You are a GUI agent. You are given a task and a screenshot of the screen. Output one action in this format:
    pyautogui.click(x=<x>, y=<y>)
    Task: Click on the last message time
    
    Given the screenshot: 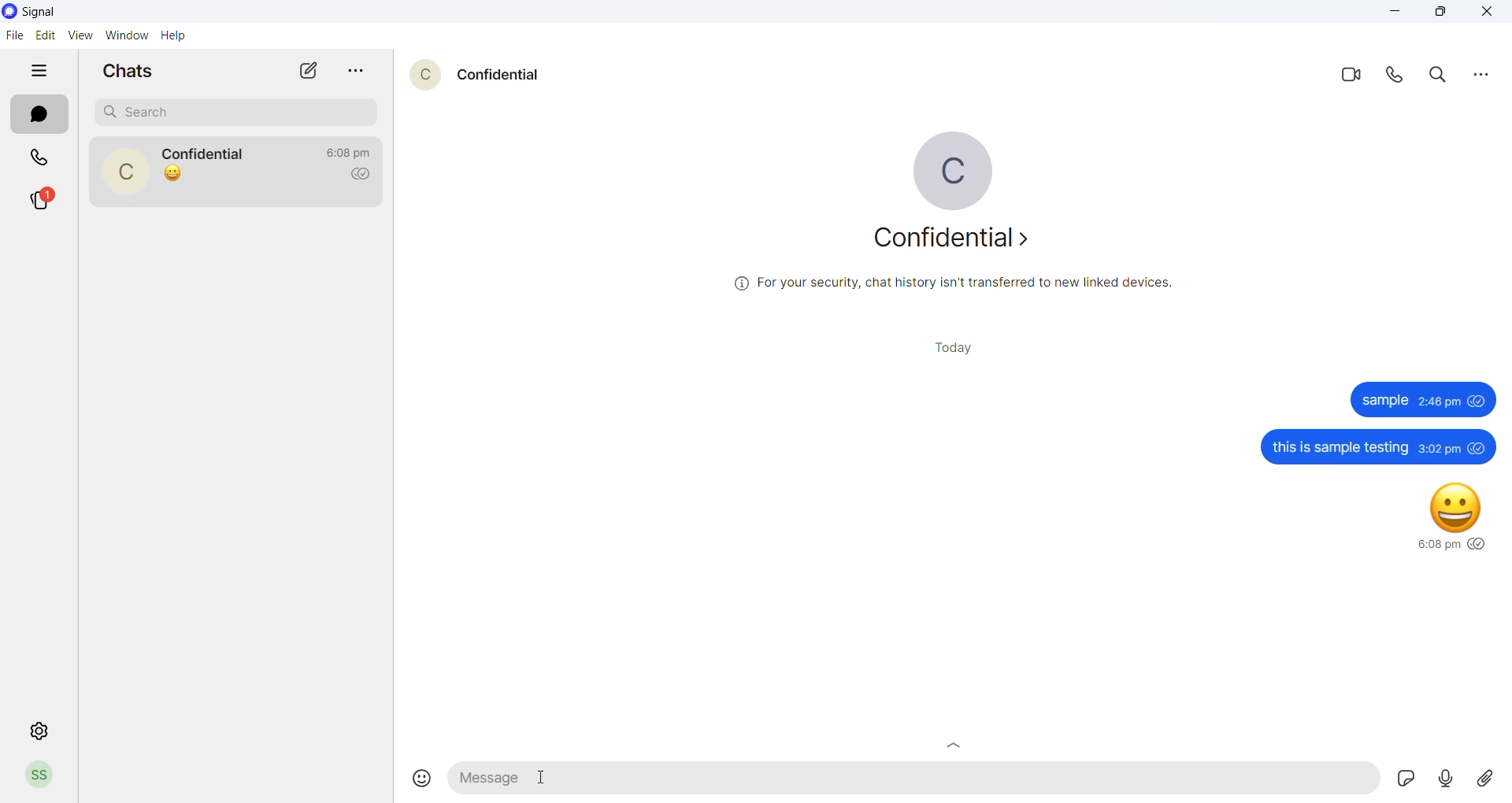 What is the action you would take?
    pyautogui.click(x=352, y=147)
    